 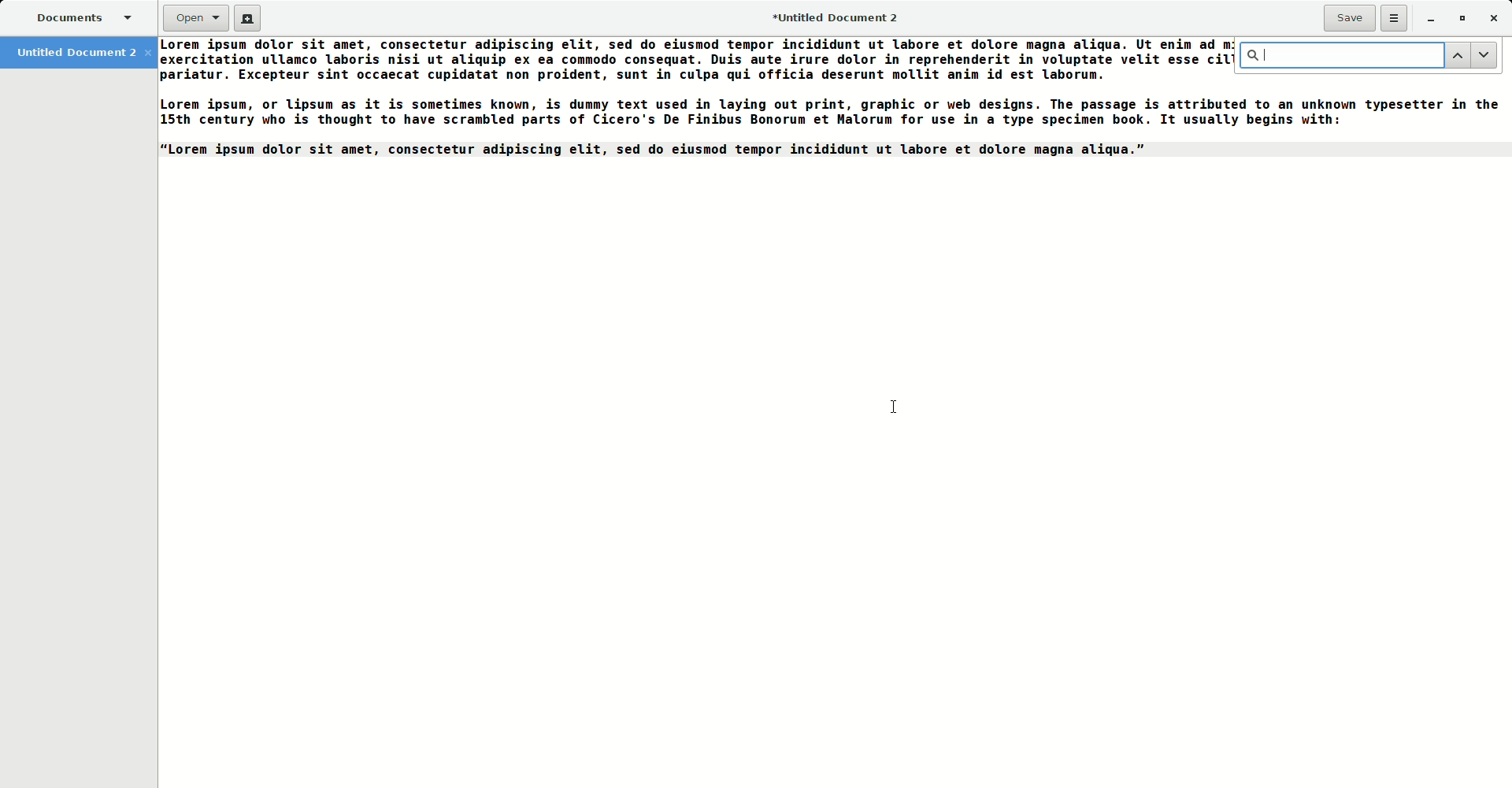 I want to click on Save, so click(x=1347, y=16).